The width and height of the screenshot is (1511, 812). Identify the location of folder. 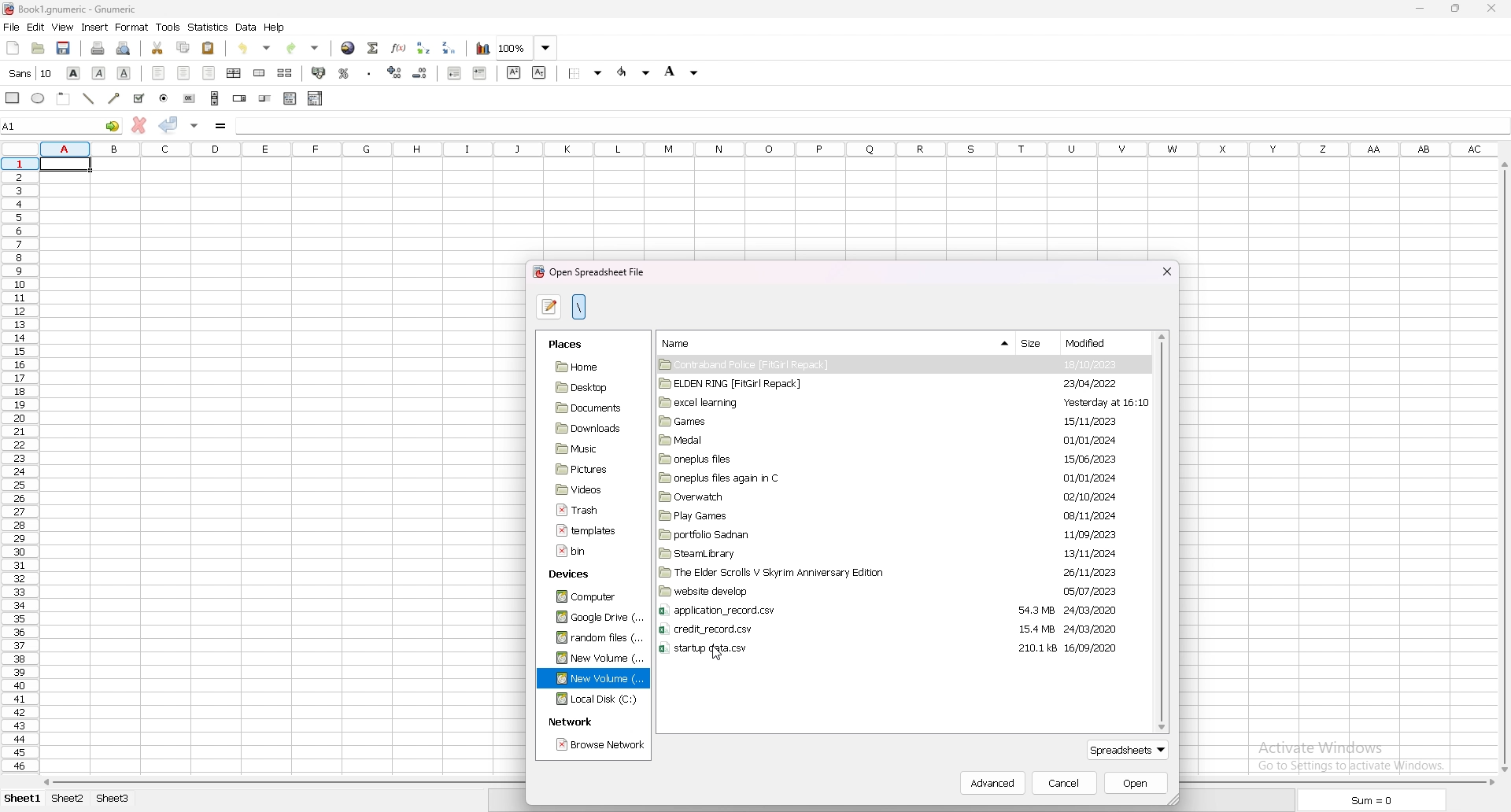
(809, 383).